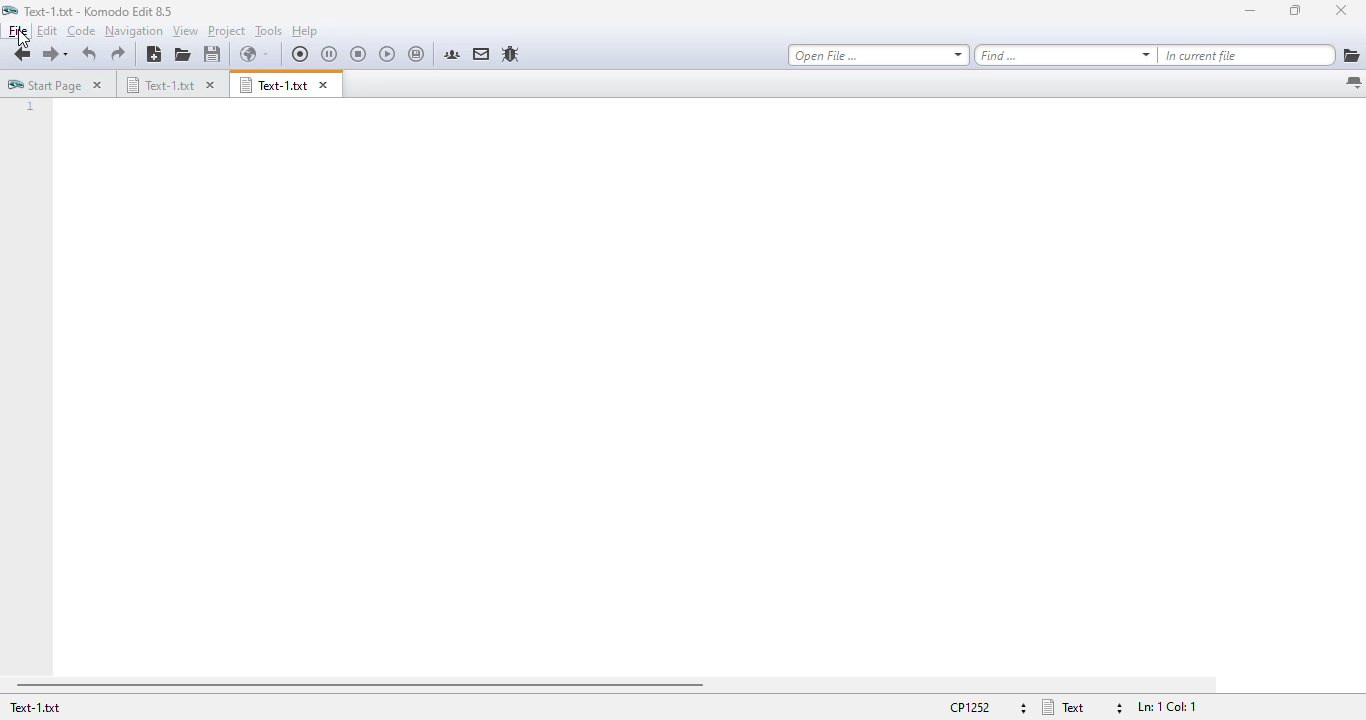 The width and height of the screenshot is (1366, 720). I want to click on new file using default language, so click(153, 54).